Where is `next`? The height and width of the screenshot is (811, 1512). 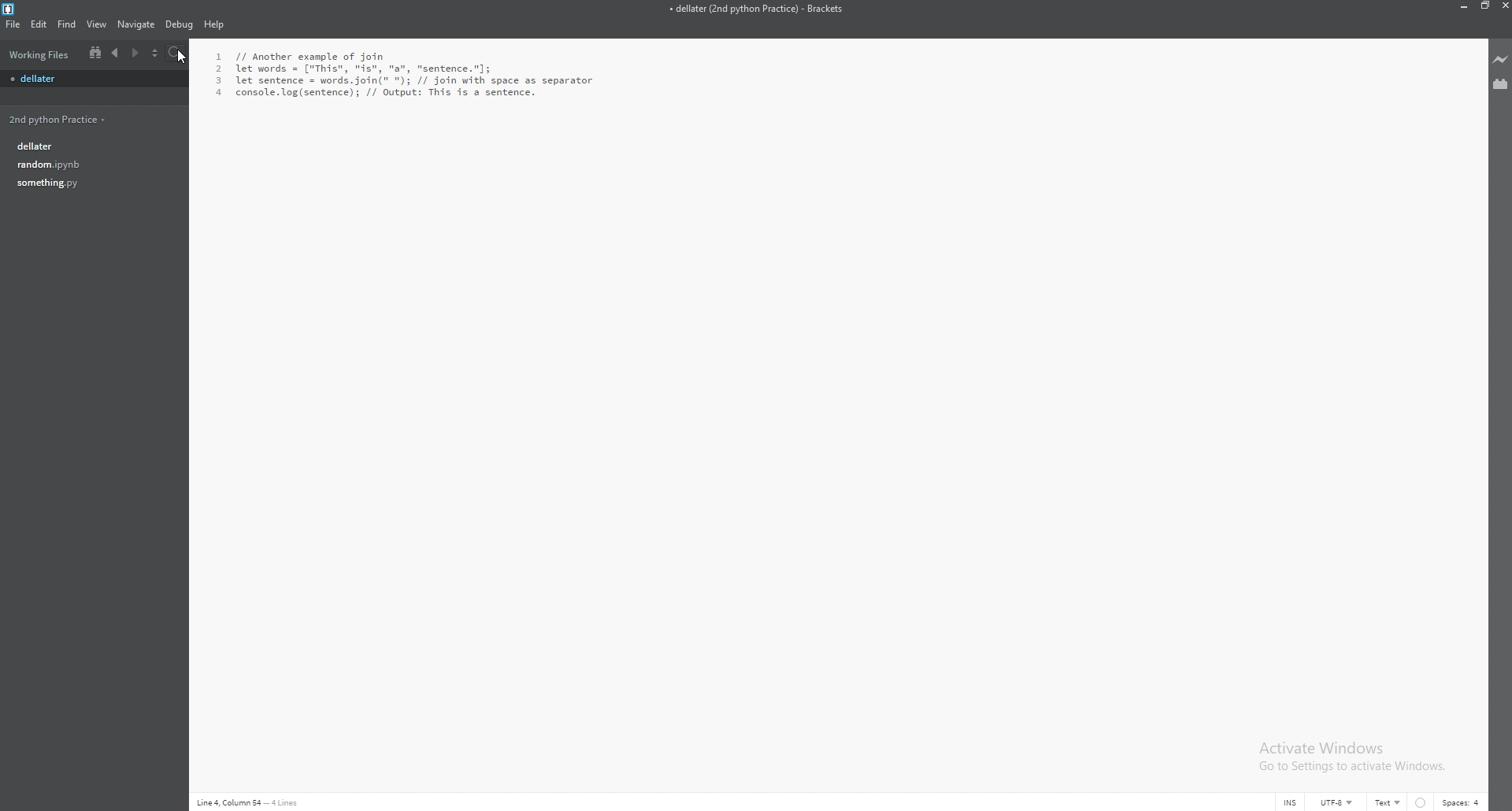 next is located at coordinates (135, 54).